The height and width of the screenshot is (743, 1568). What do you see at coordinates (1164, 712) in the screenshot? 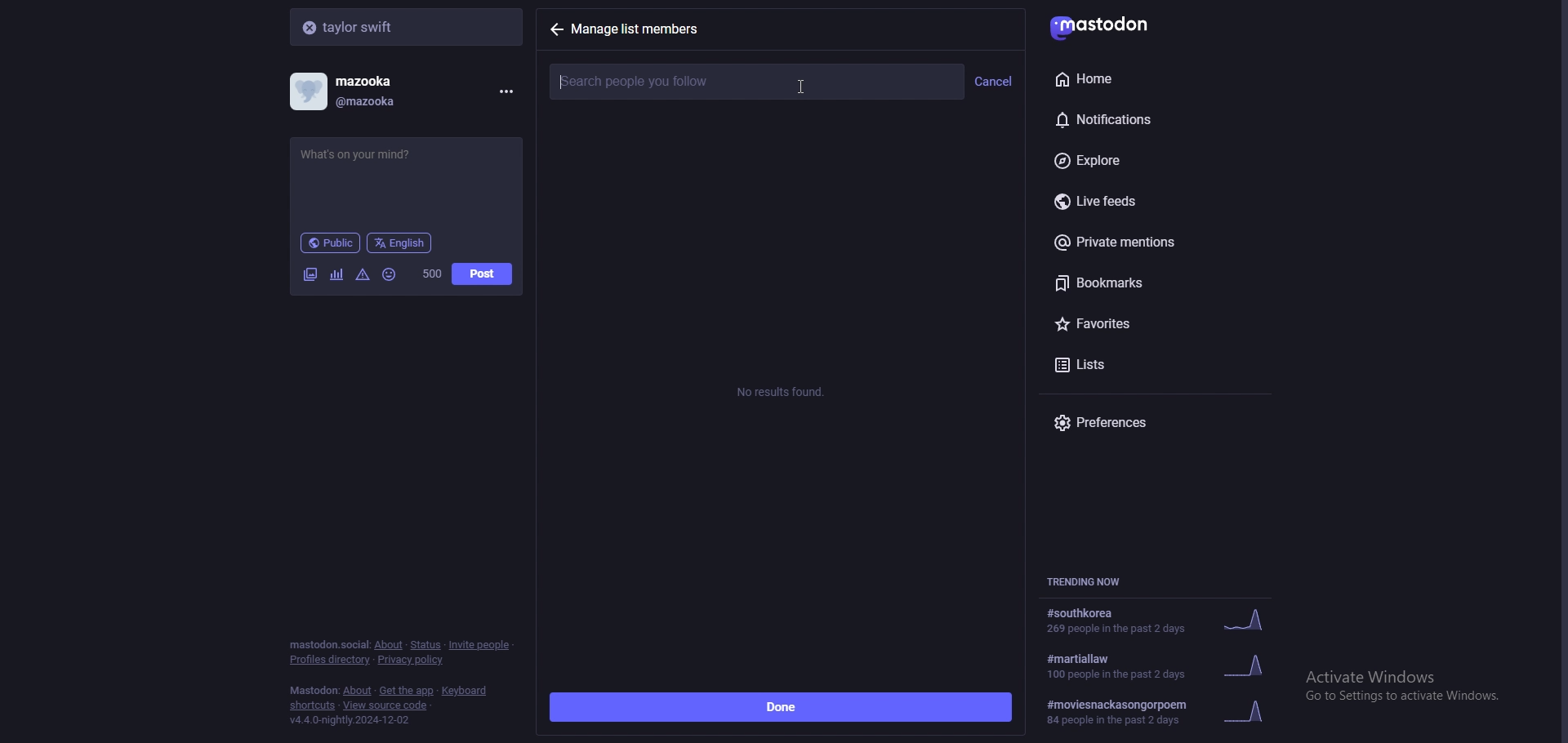
I see `trending` at bounding box center [1164, 712].